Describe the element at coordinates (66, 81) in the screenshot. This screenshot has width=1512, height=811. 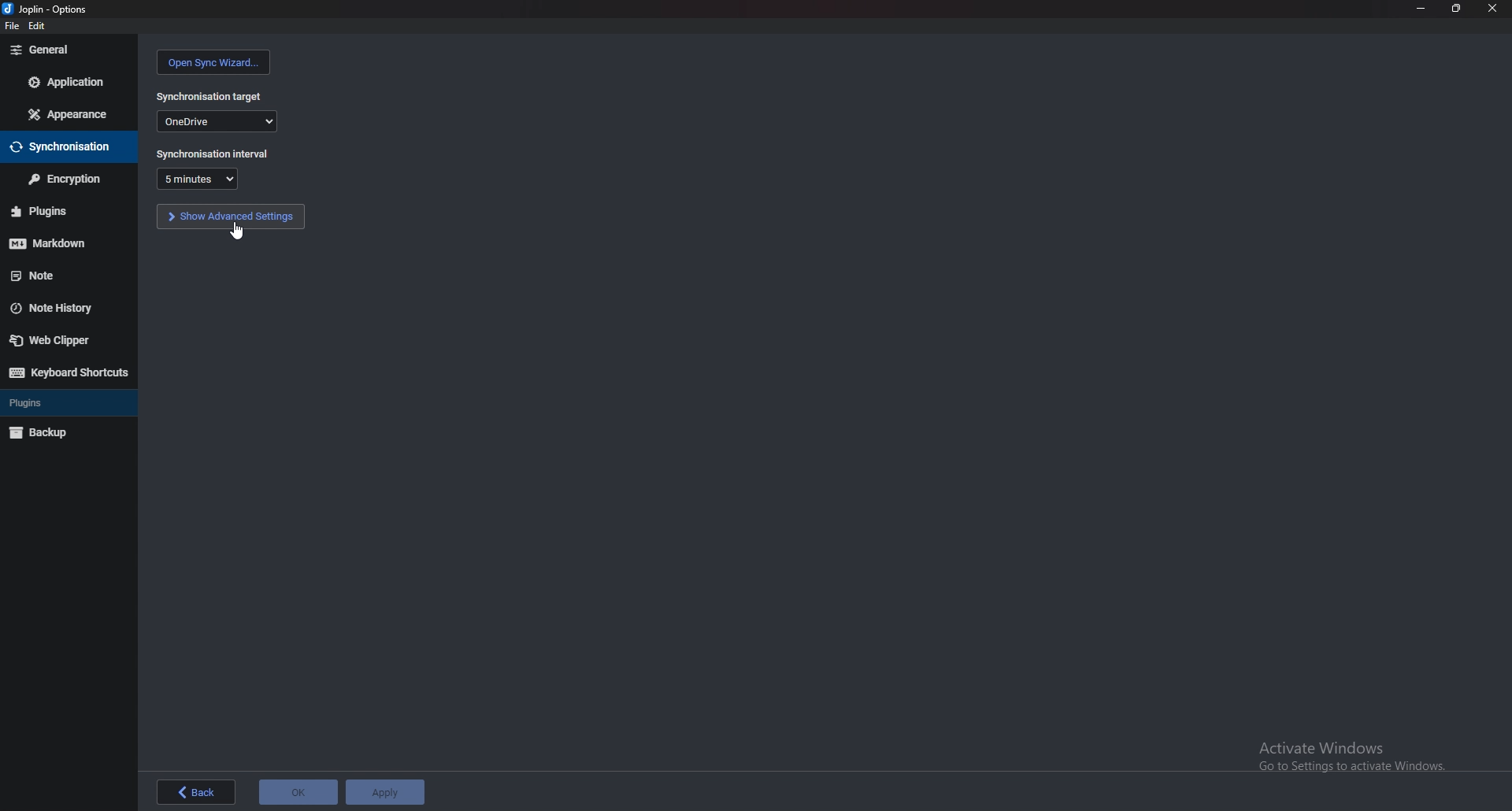
I see `application` at that location.